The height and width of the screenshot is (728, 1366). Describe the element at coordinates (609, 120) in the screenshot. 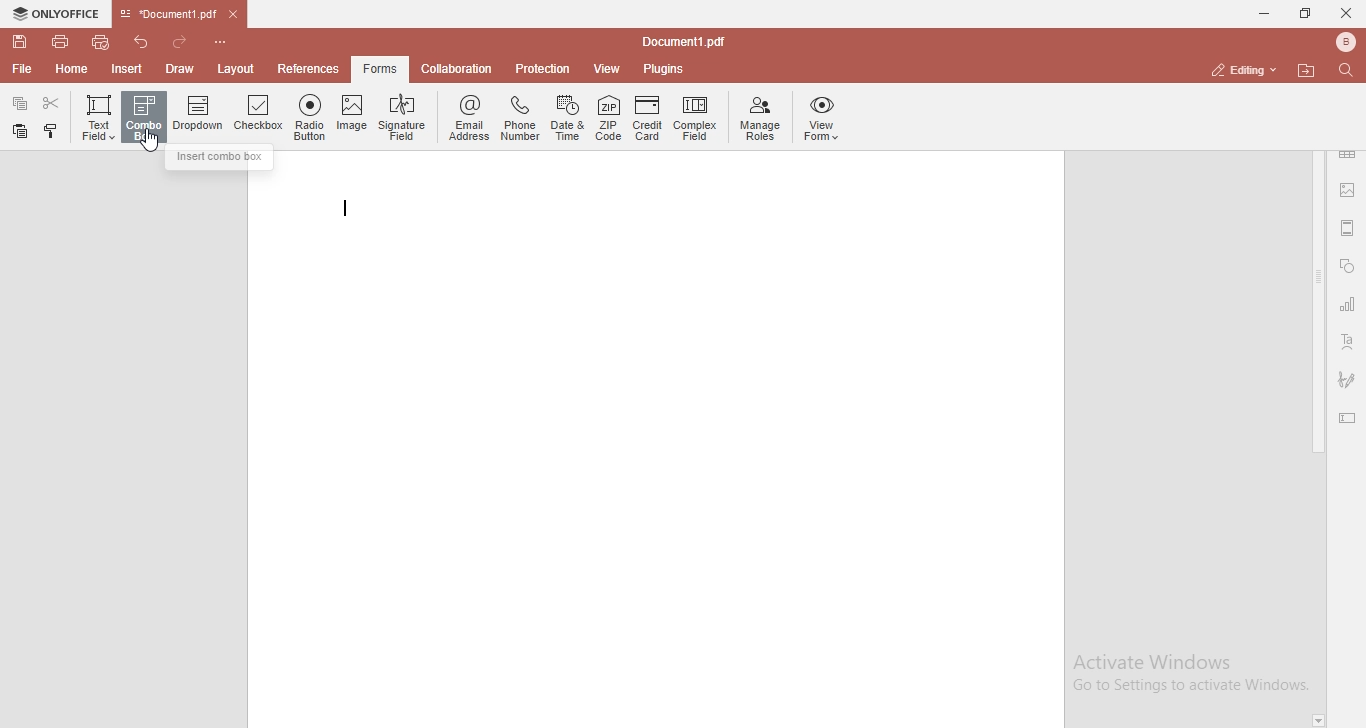

I see `zip code` at that location.